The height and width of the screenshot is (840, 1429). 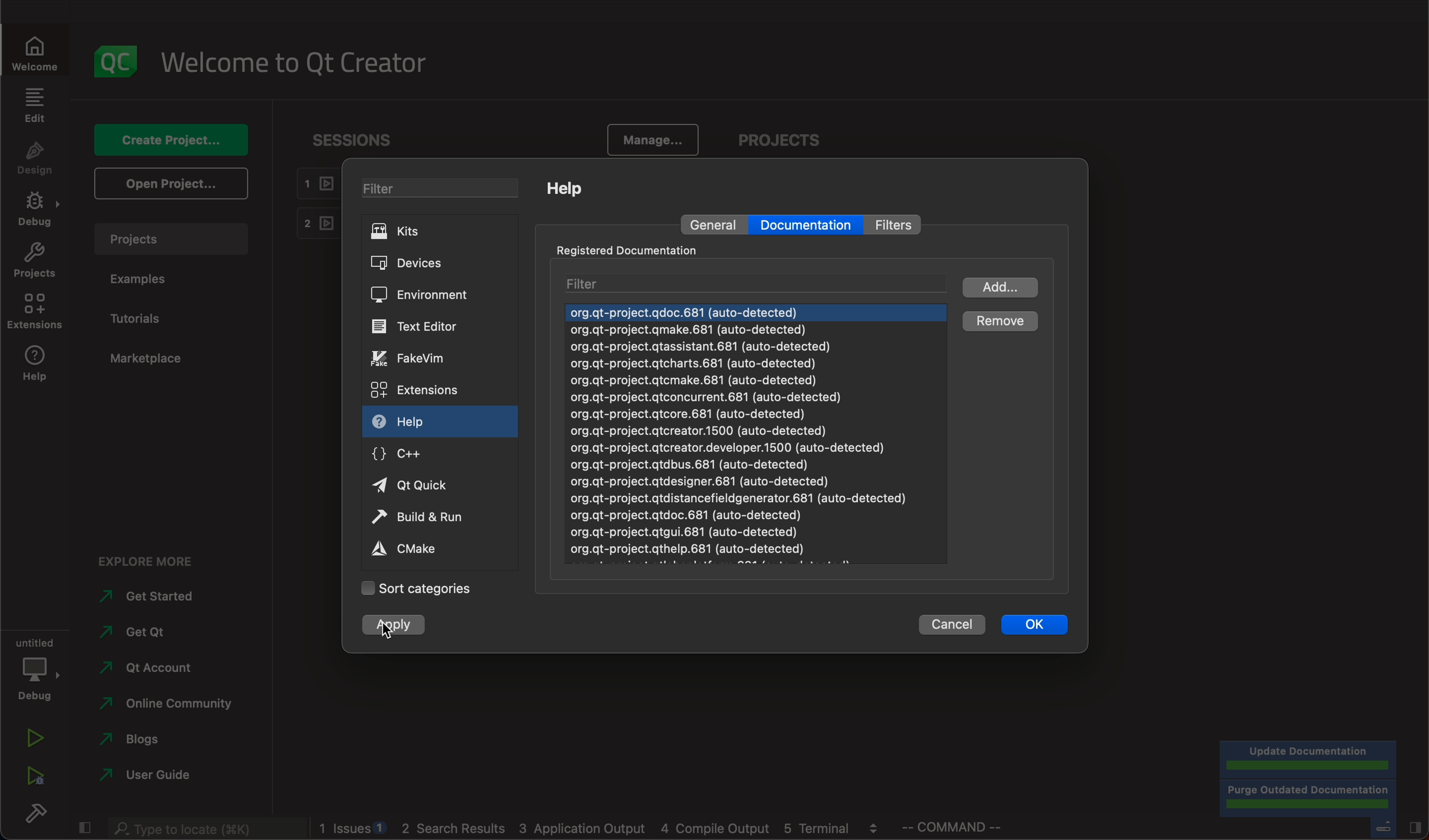 I want to click on documentation, so click(x=807, y=225).